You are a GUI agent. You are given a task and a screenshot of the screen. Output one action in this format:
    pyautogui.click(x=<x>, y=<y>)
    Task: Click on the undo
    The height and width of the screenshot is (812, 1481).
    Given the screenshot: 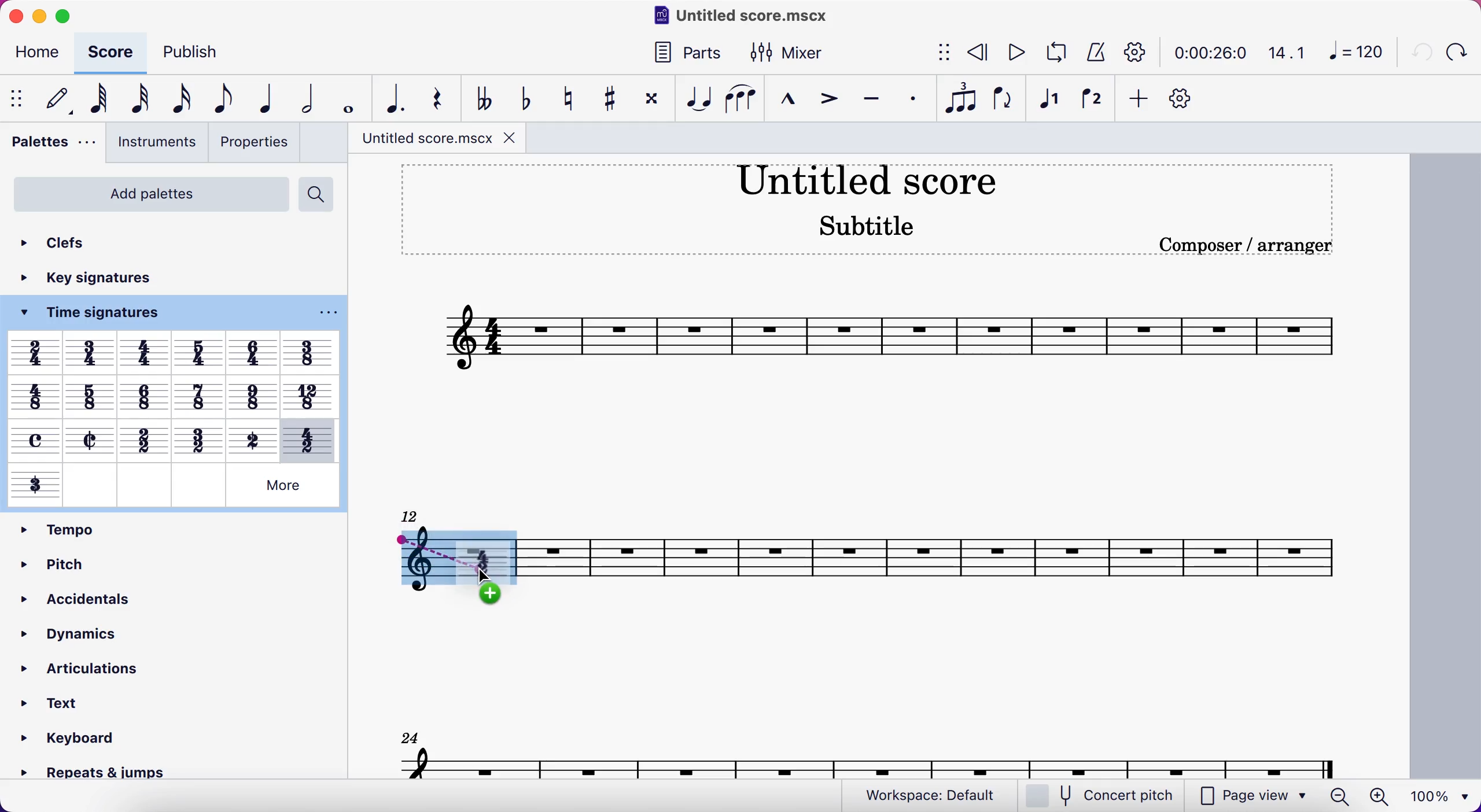 What is the action you would take?
    pyautogui.click(x=1420, y=50)
    